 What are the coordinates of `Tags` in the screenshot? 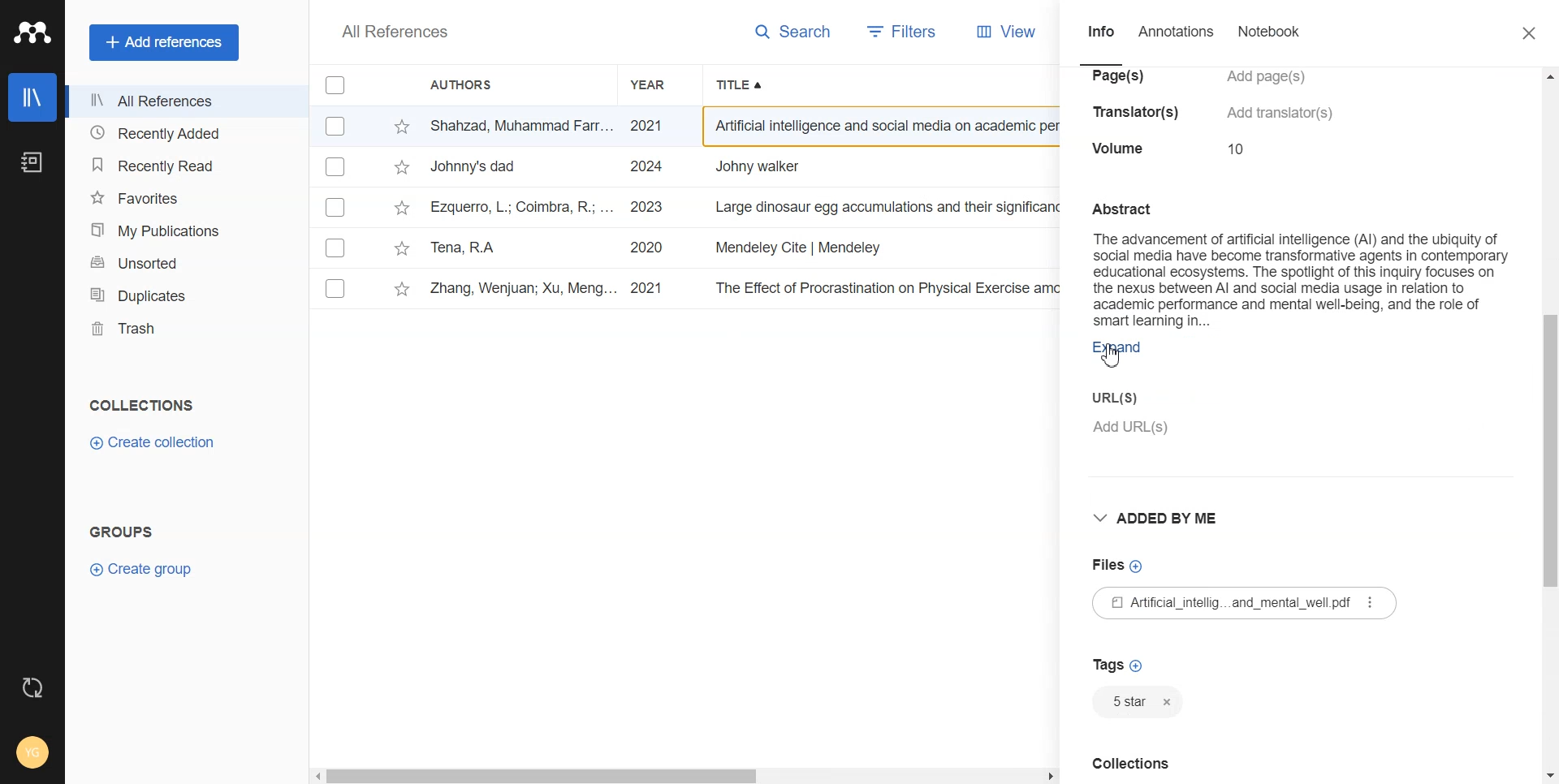 It's located at (1116, 665).